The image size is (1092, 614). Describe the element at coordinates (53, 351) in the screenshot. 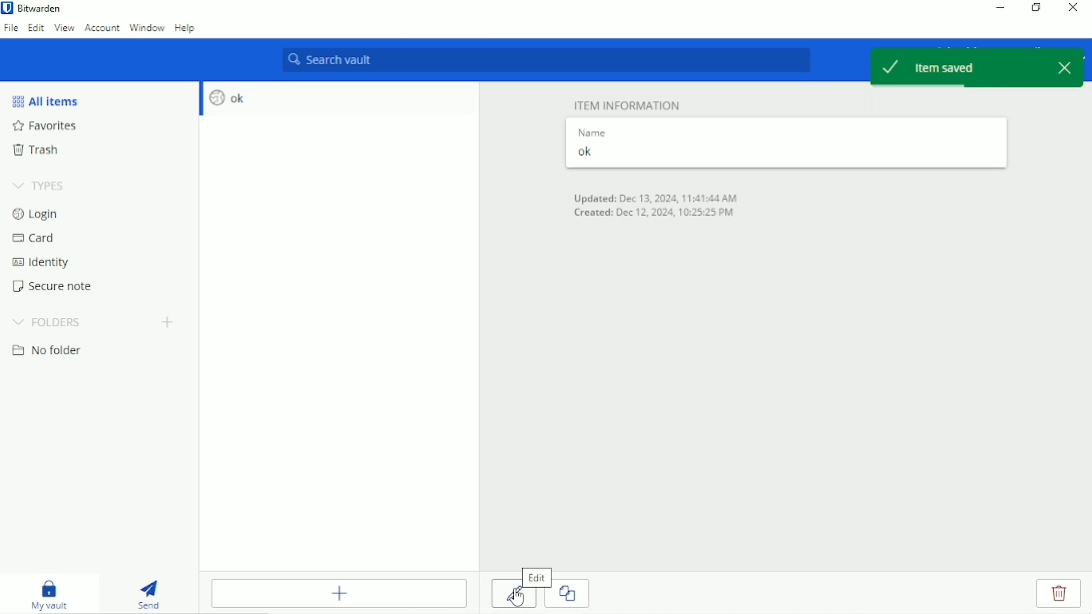

I see `No folder` at that location.